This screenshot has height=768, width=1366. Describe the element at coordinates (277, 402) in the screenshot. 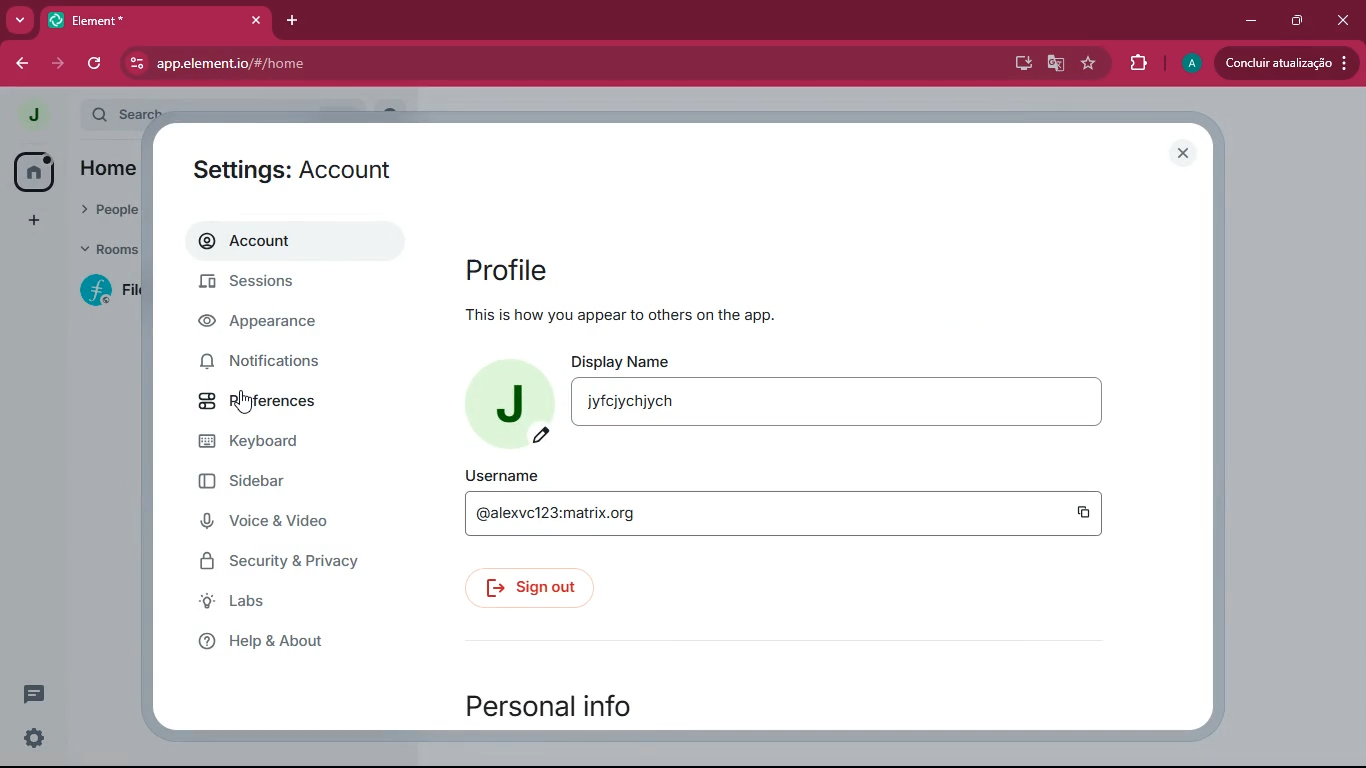

I see `preferences` at that location.